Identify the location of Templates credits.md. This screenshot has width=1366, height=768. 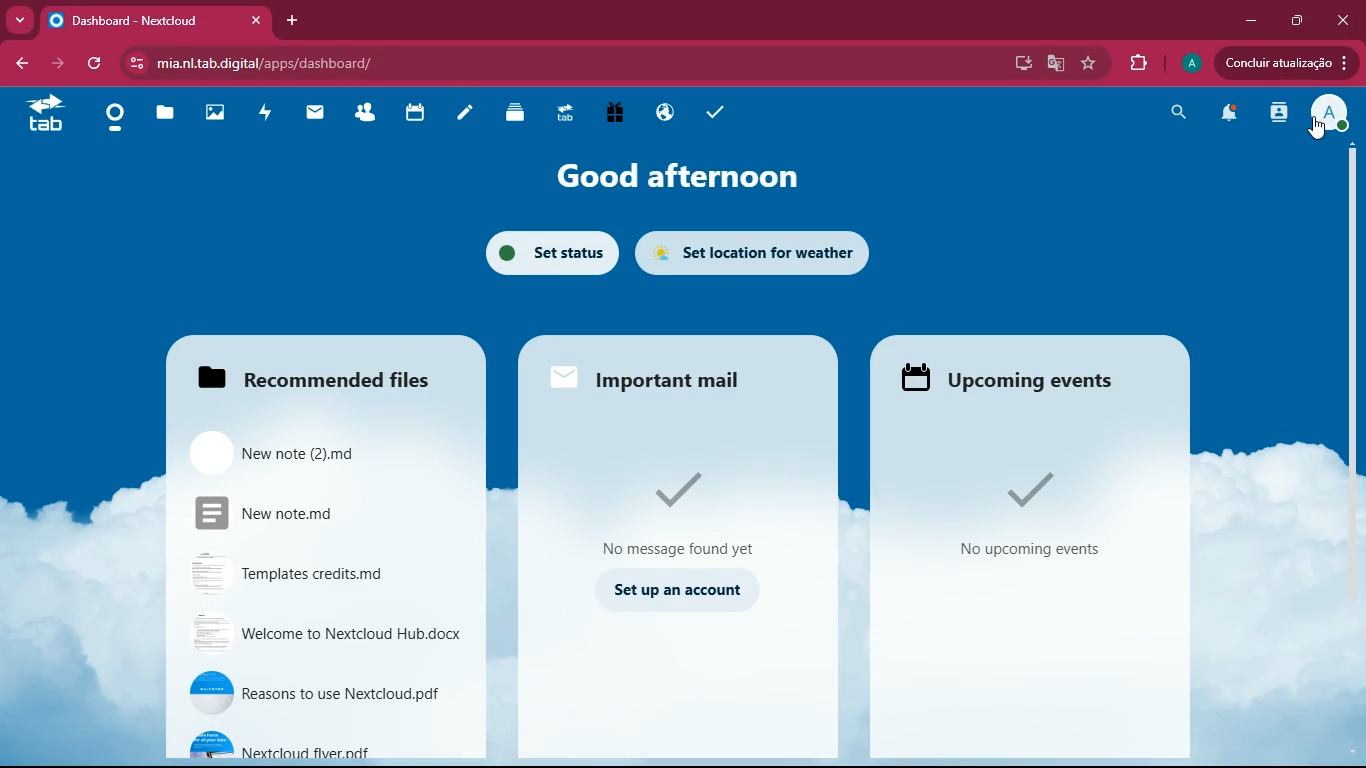
(320, 572).